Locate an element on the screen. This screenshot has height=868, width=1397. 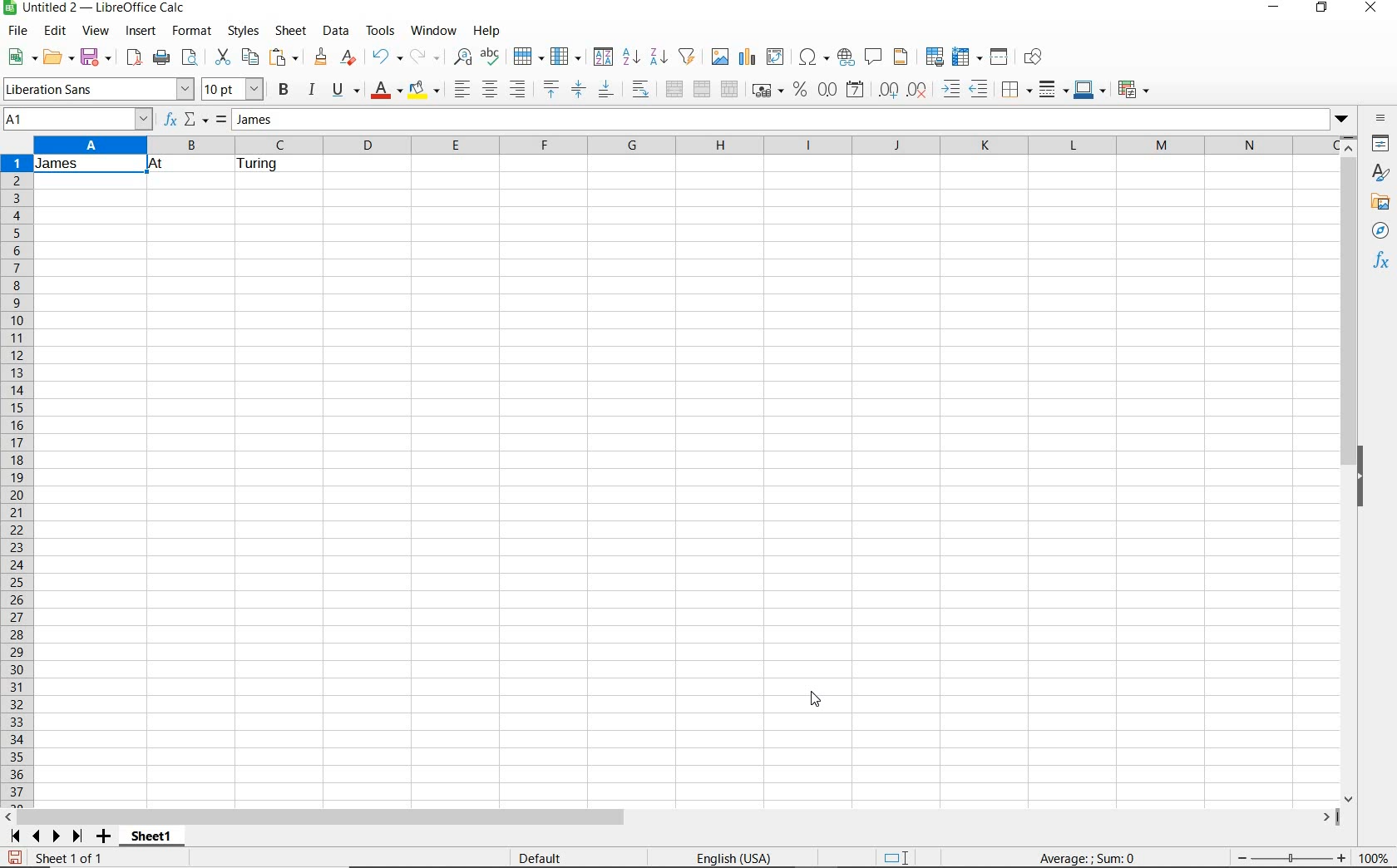
help is located at coordinates (487, 31).